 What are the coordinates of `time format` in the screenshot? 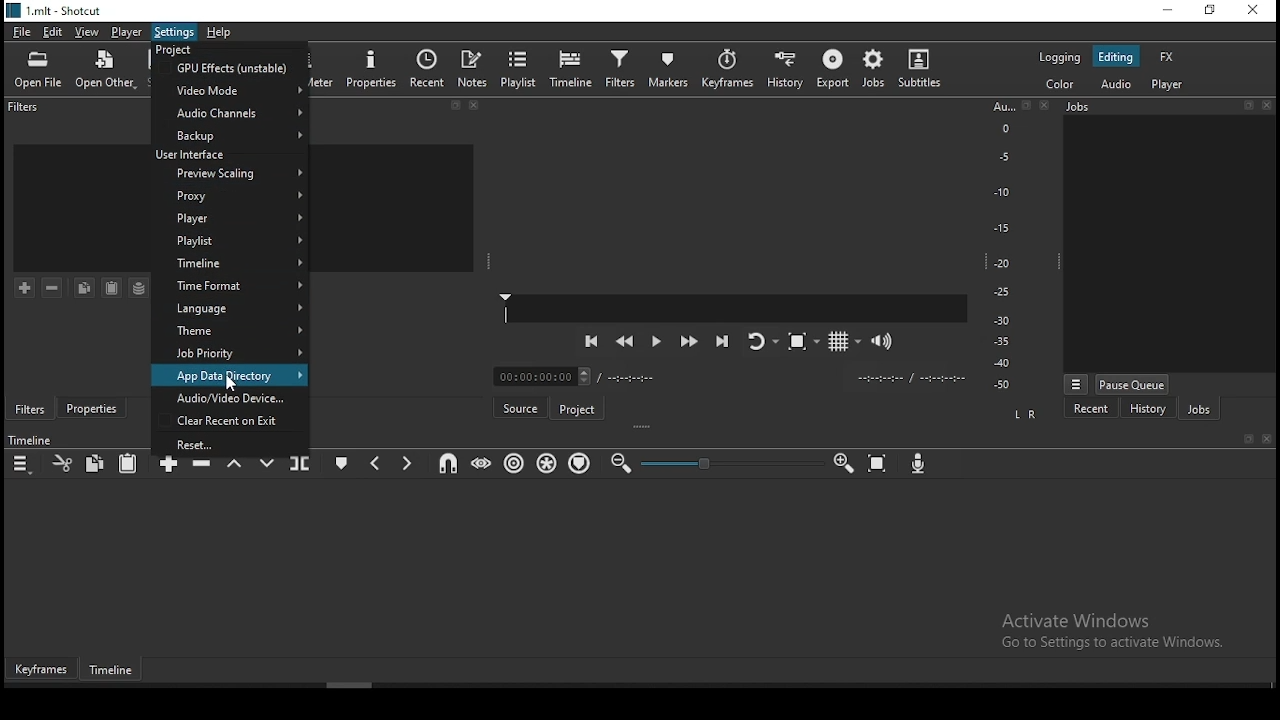 It's located at (232, 267).